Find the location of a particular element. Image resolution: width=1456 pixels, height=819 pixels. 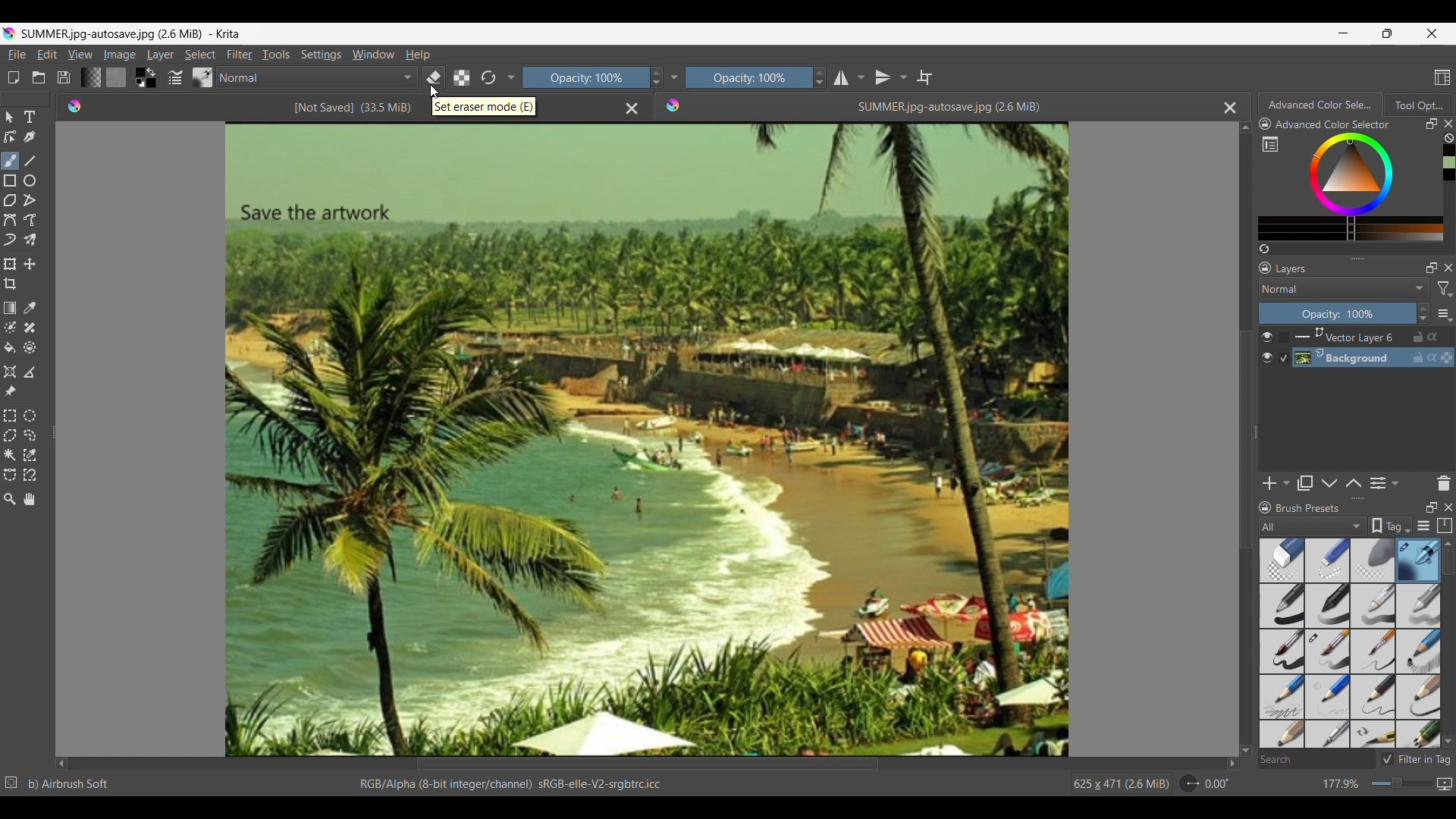

Opacity 100% is located at coordinates (582, 78).